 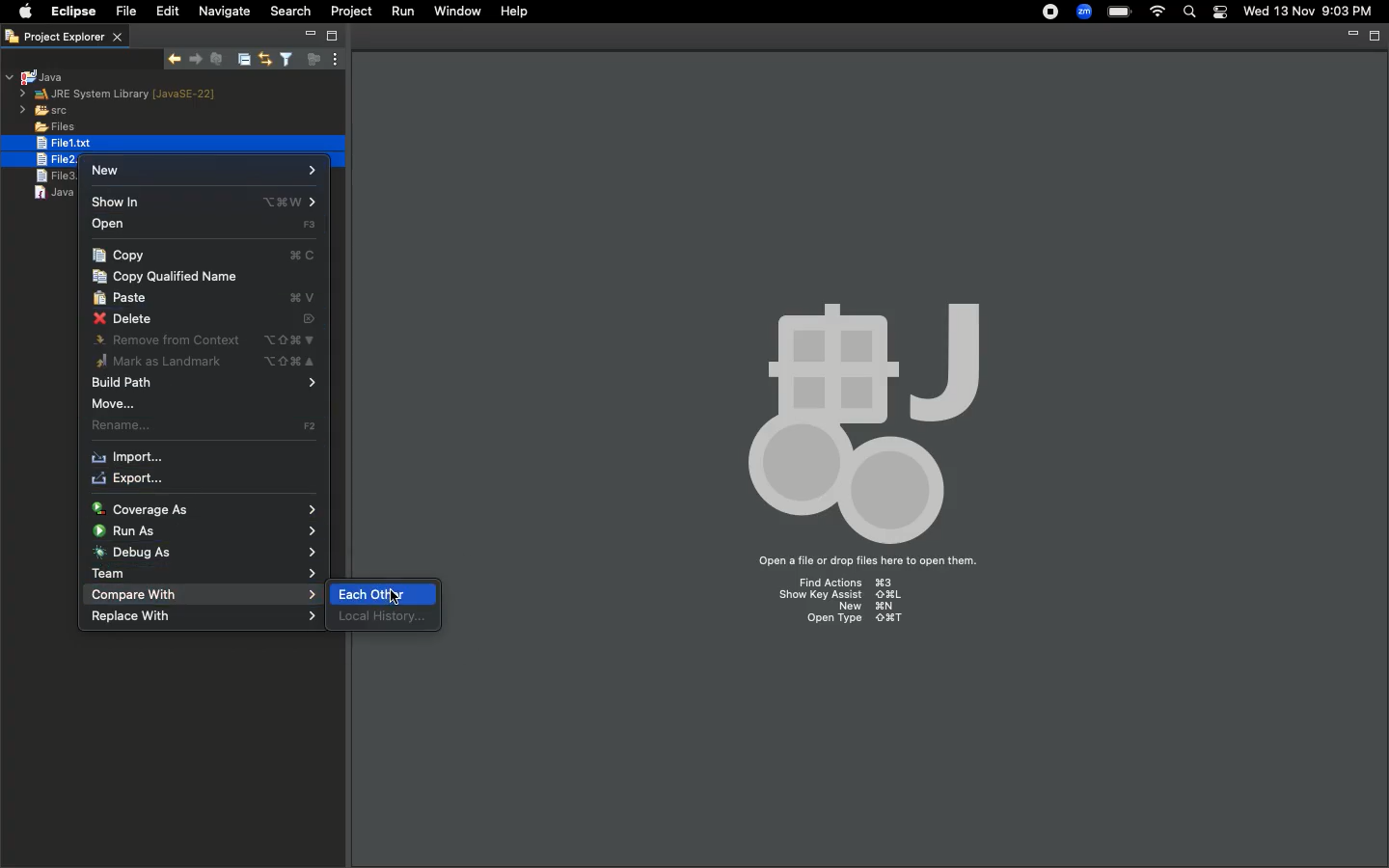 What do you see at coordinates (43, 125) in the screenshot?
I see `Files` at bounding box center [43, 125].